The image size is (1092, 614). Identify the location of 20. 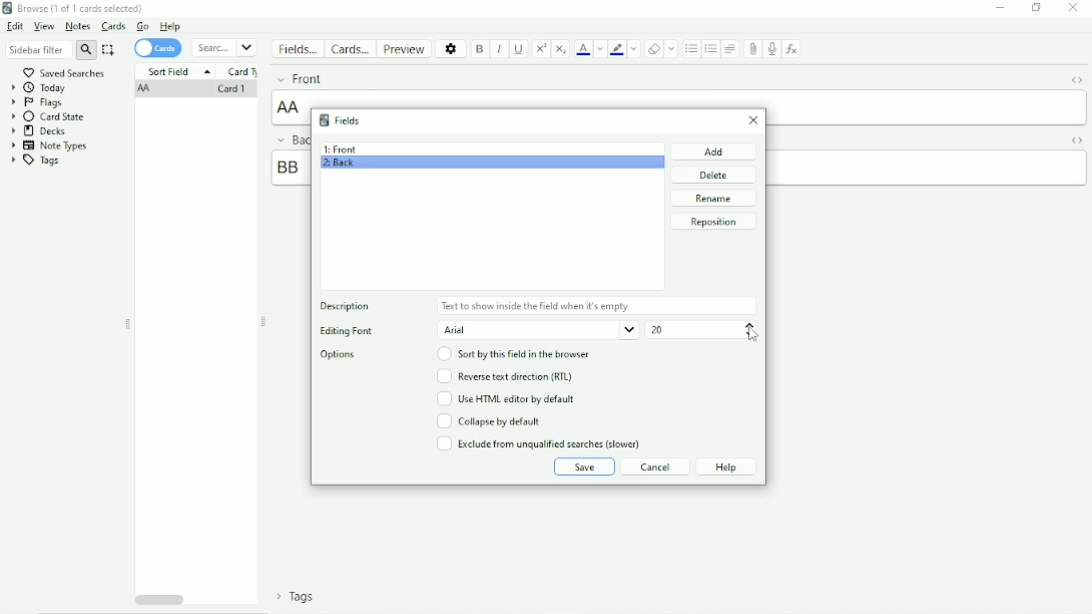
(656, 330).